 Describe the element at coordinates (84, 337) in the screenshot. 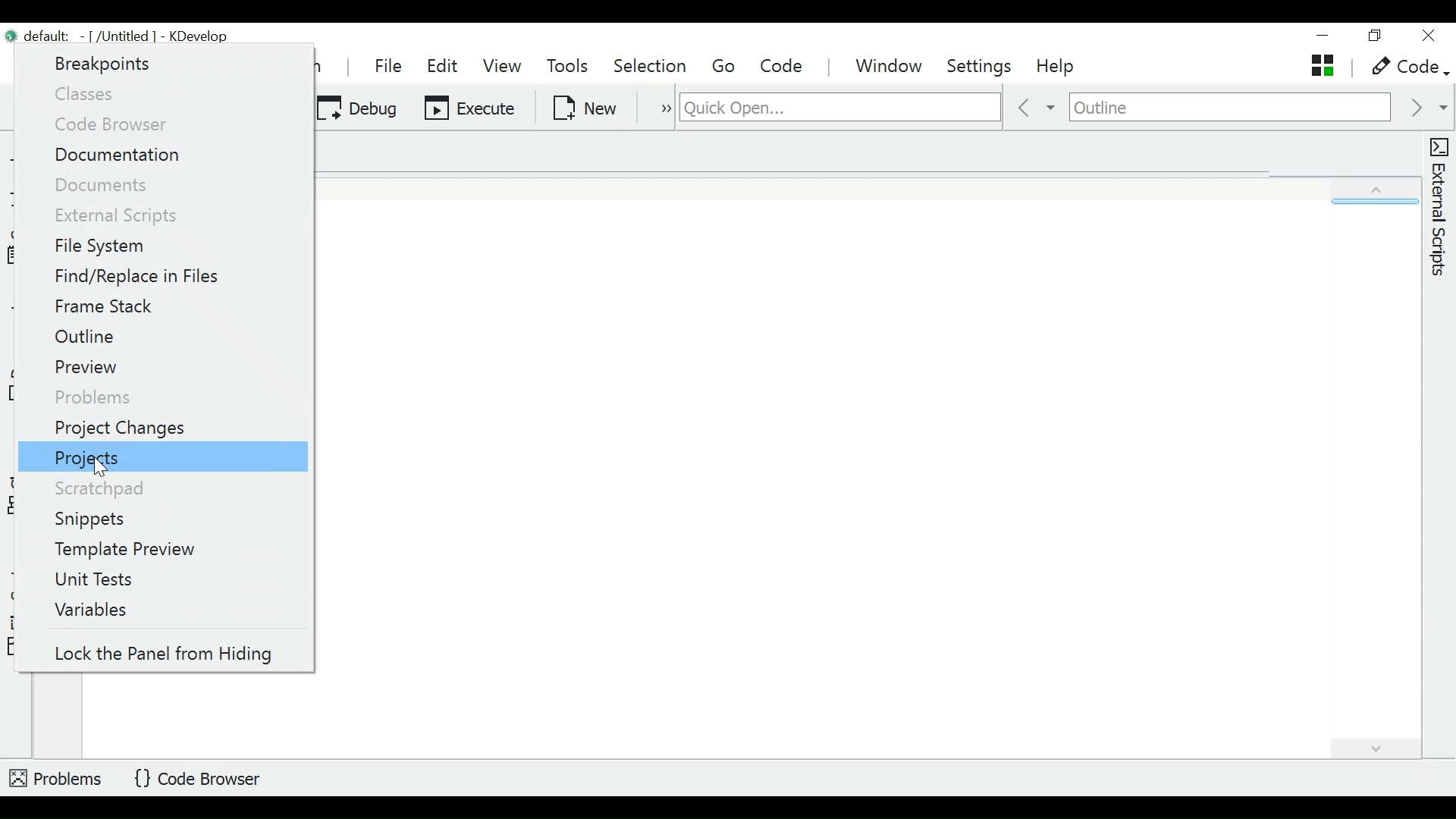

I see `Outline` at that location.